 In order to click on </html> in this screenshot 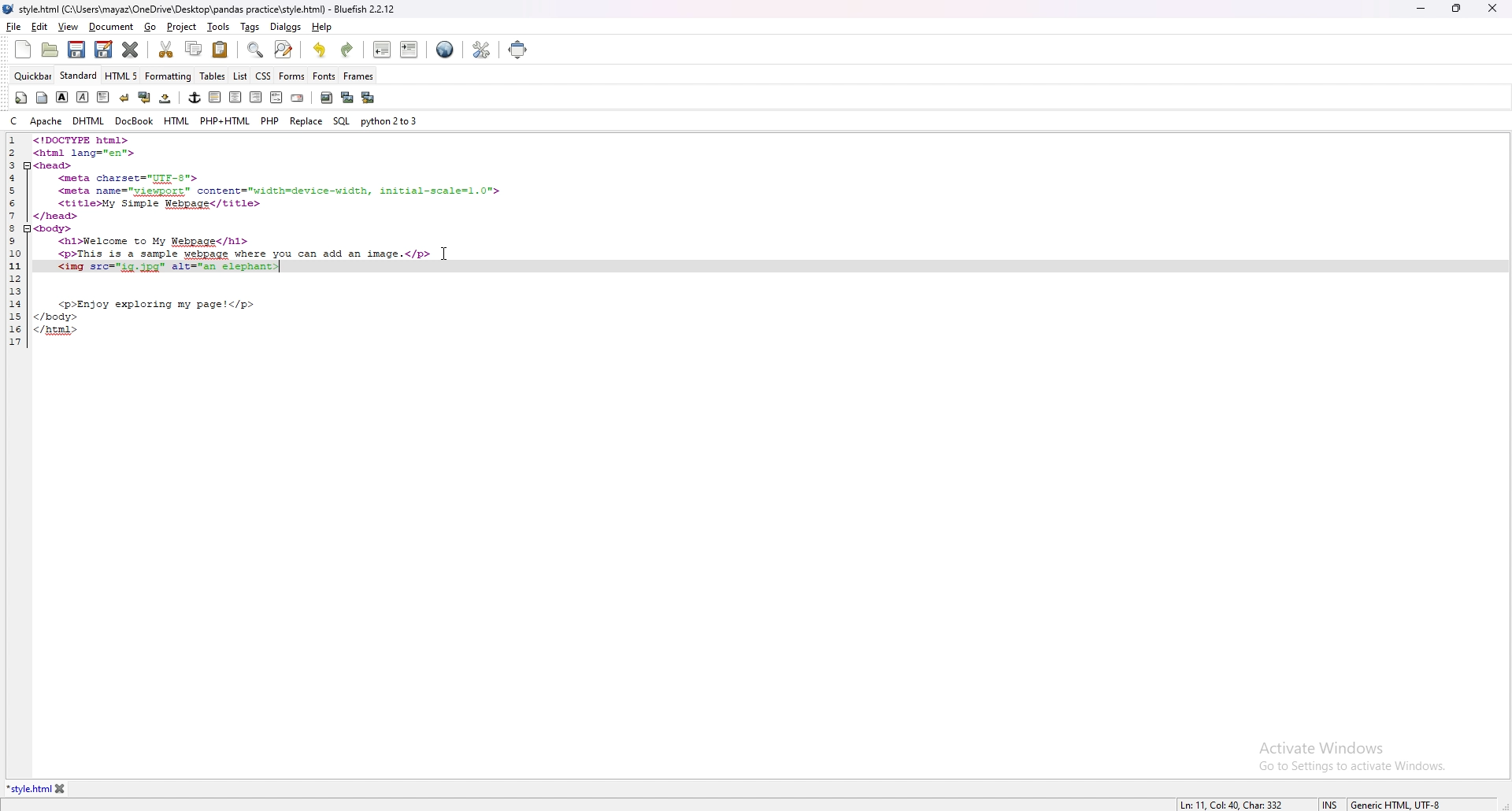, I will do `click(57, 330)`.